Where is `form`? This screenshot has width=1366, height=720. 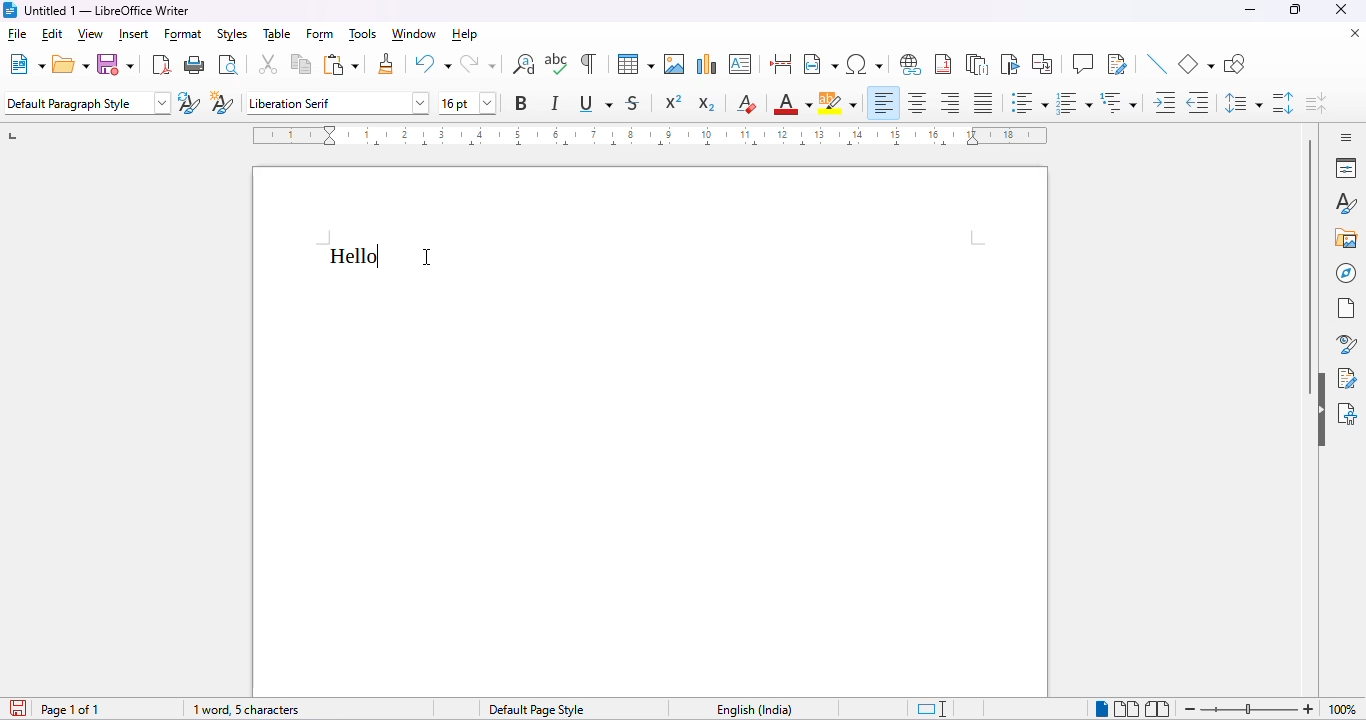 form is located at coordinates (319, 34).